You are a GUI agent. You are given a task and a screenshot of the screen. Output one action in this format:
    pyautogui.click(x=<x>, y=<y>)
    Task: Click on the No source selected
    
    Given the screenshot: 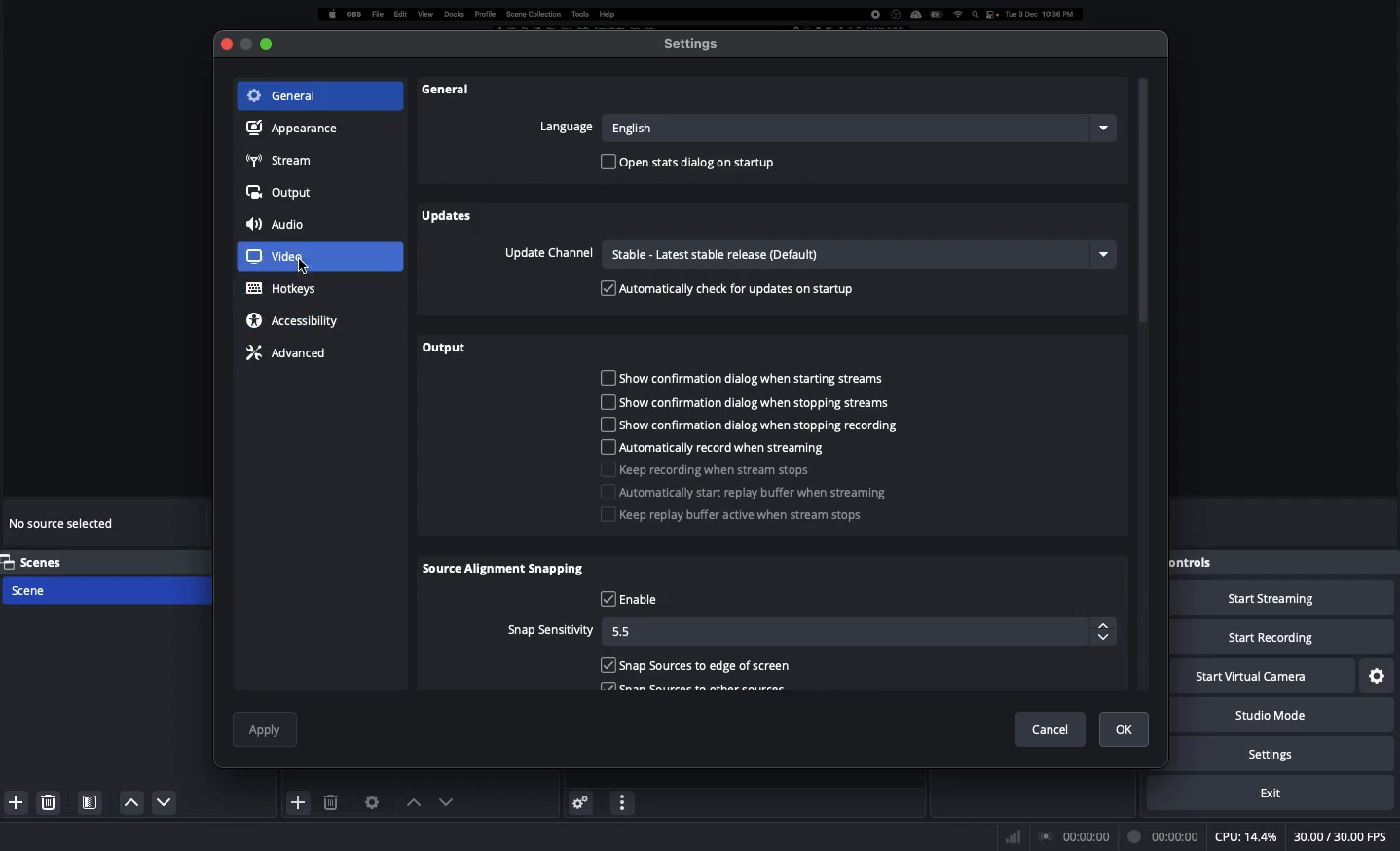 What is the action you would take?
    pyautogui.click(x=64, y=527)
    